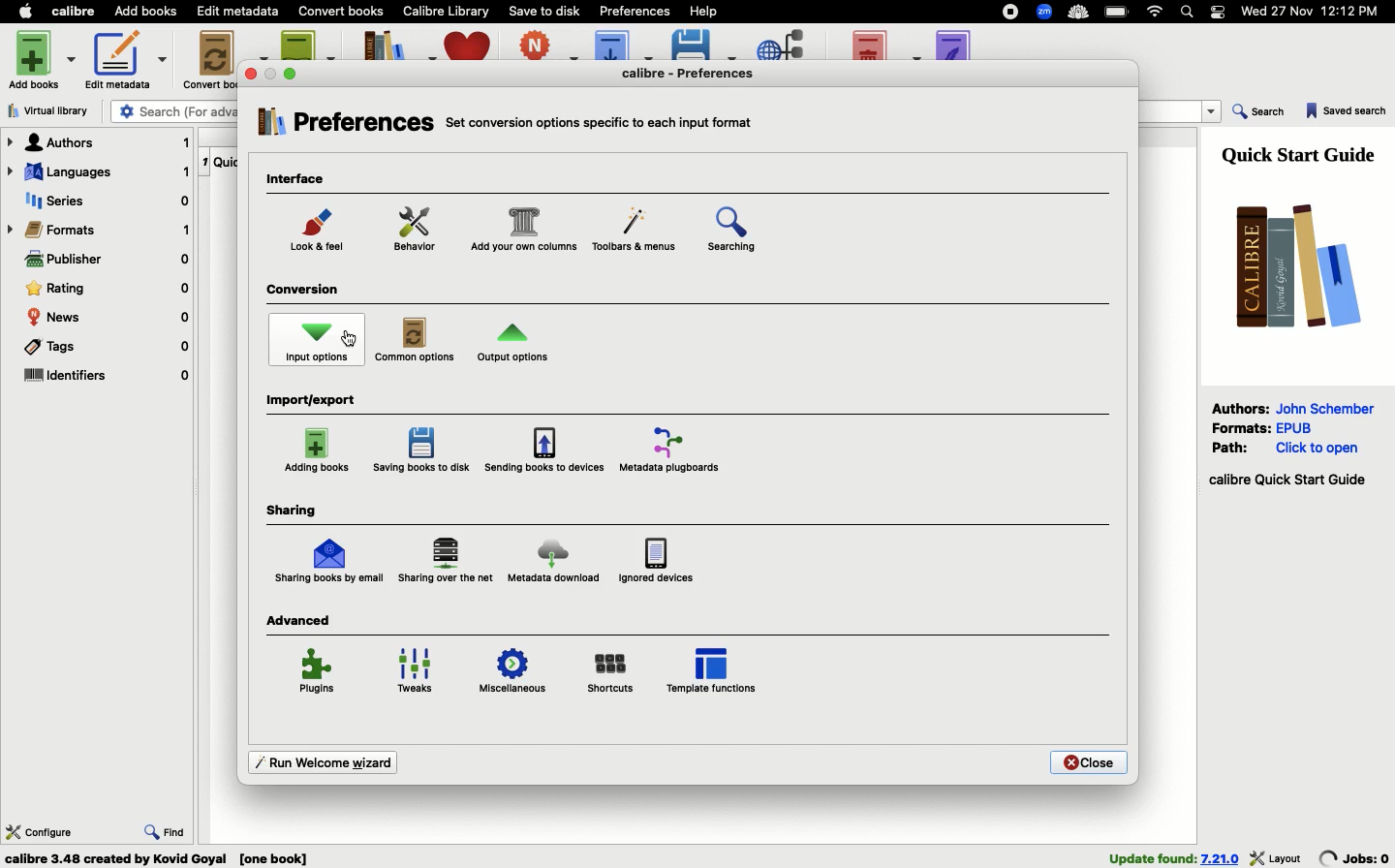  What do you see at coordinates (1233, 447) in the screenshot?
I see `Path` at bounding box center [1233, 447].